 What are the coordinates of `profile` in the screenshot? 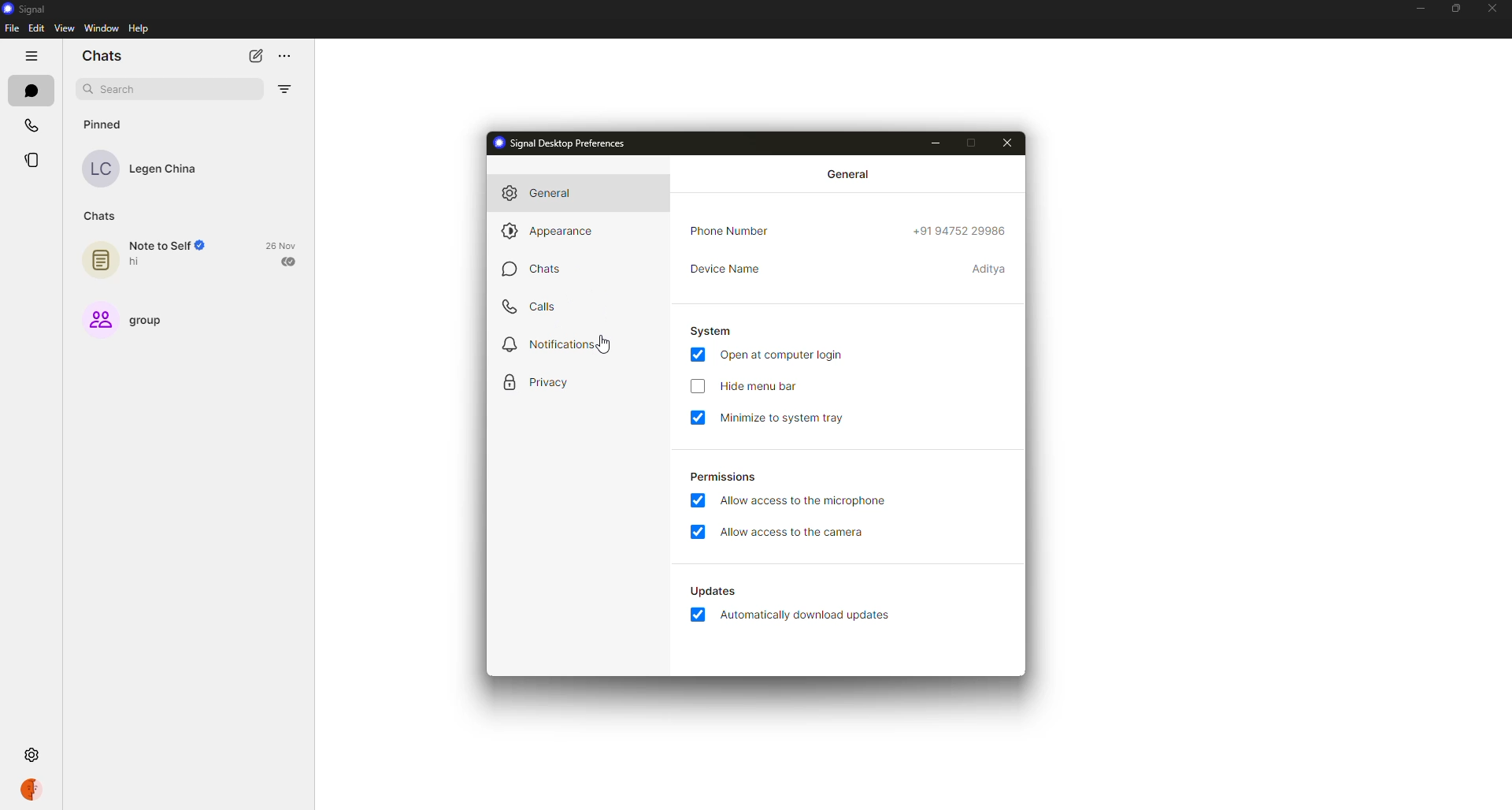 It's located at (35, 790).